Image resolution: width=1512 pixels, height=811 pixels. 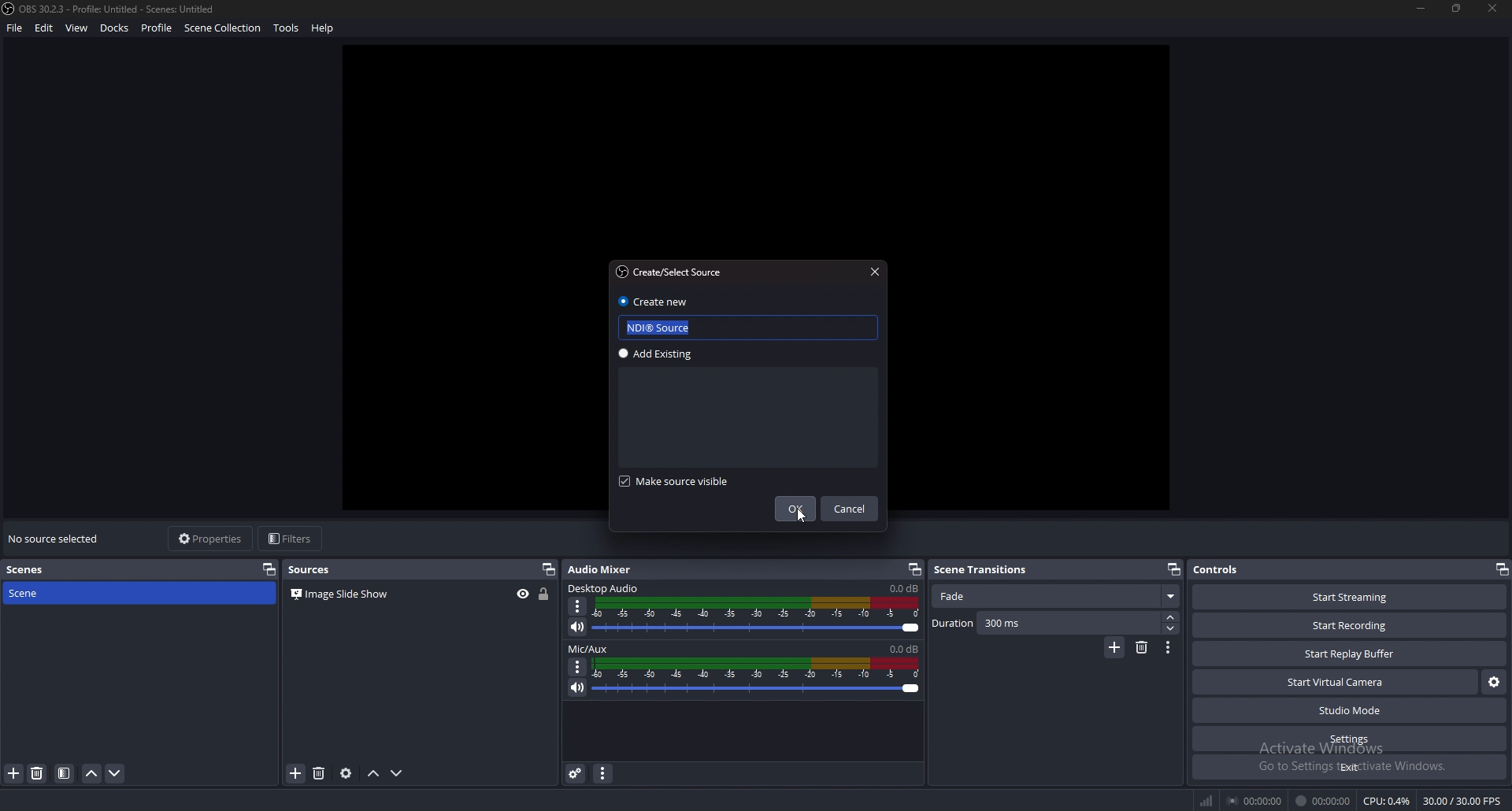 I want to click on close, so click(x=875, y=271).